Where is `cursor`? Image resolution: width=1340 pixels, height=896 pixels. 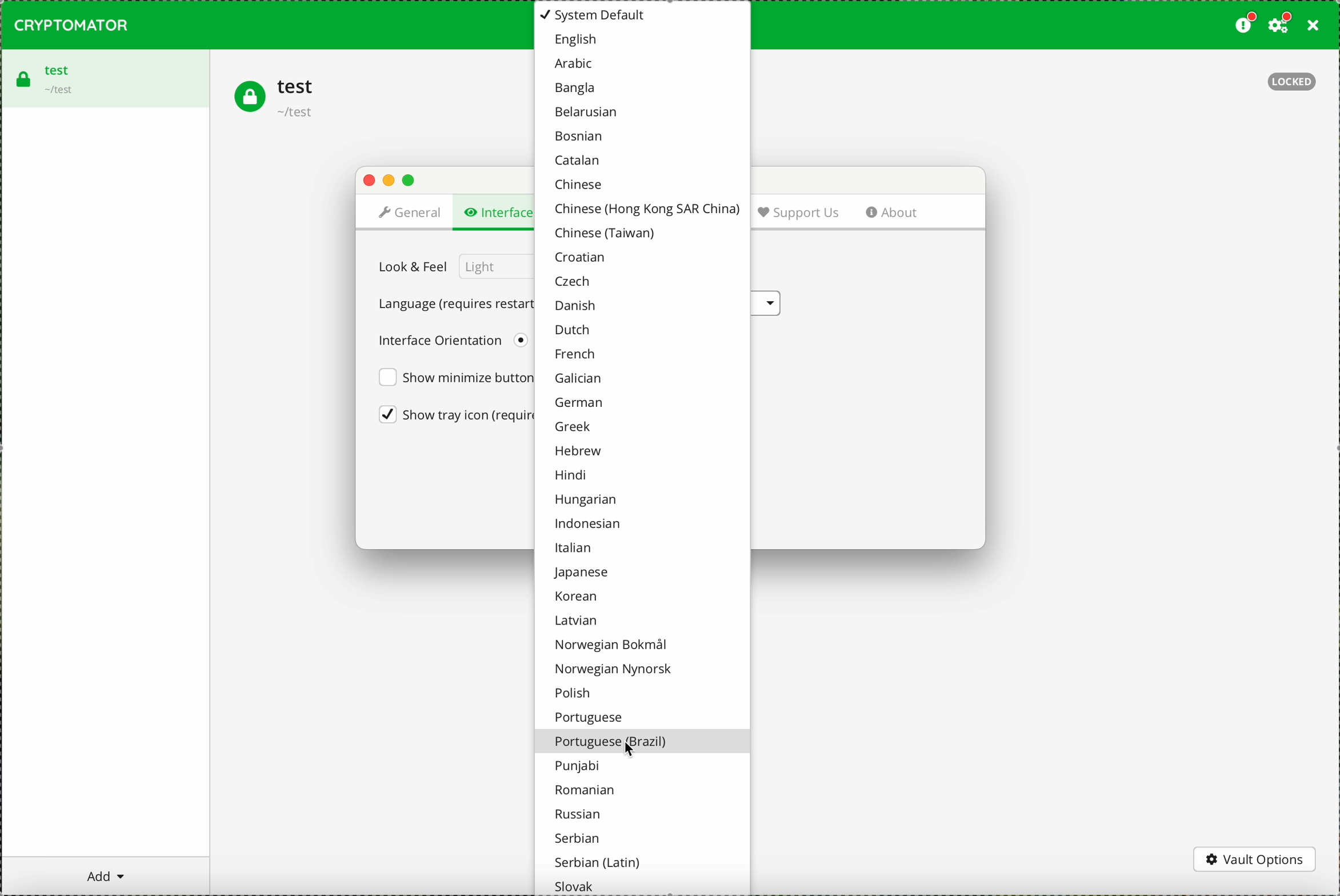 cursor is located at coordinates (632, 755).